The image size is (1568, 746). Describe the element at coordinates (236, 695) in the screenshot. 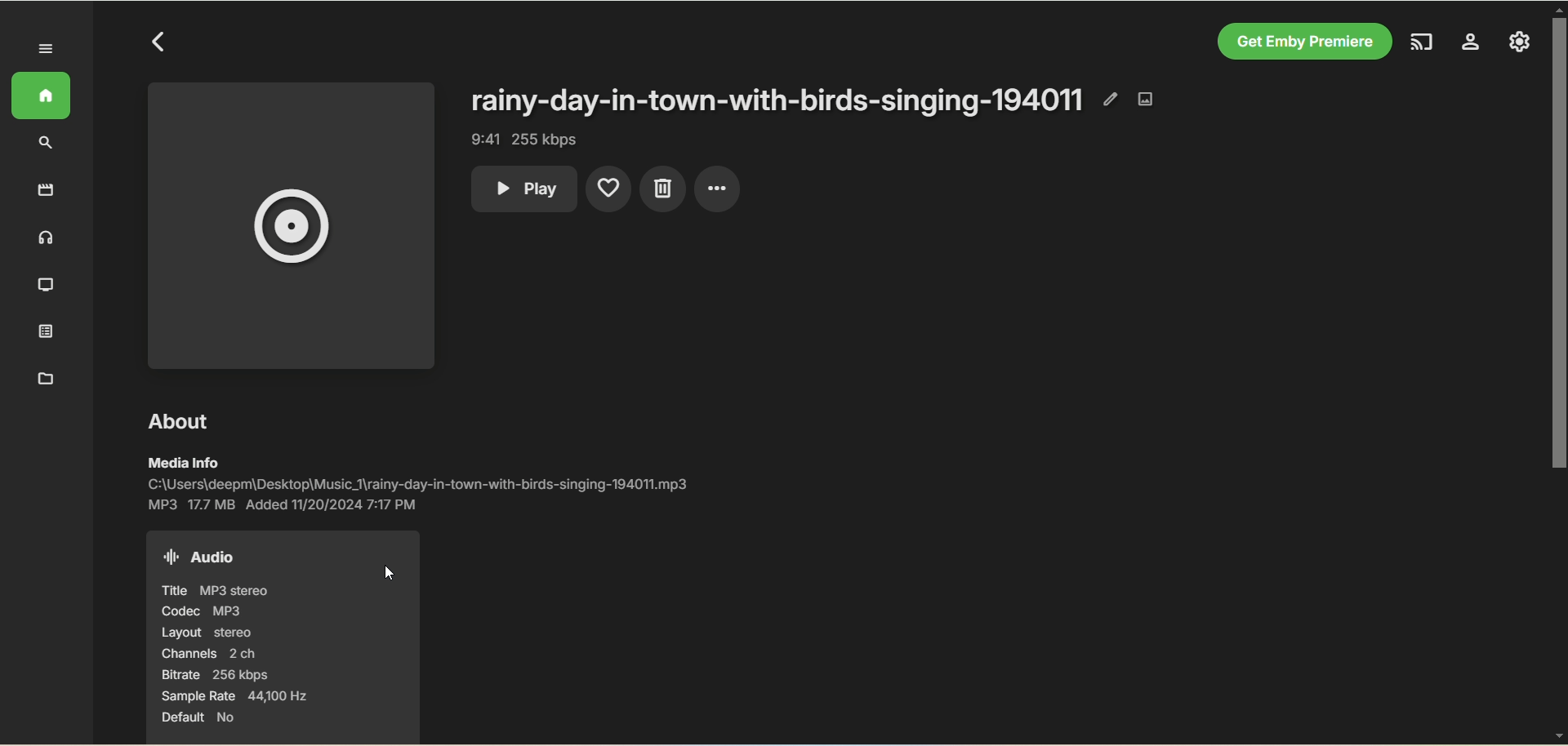

I see `sample rate 44,100 hz` at that location.